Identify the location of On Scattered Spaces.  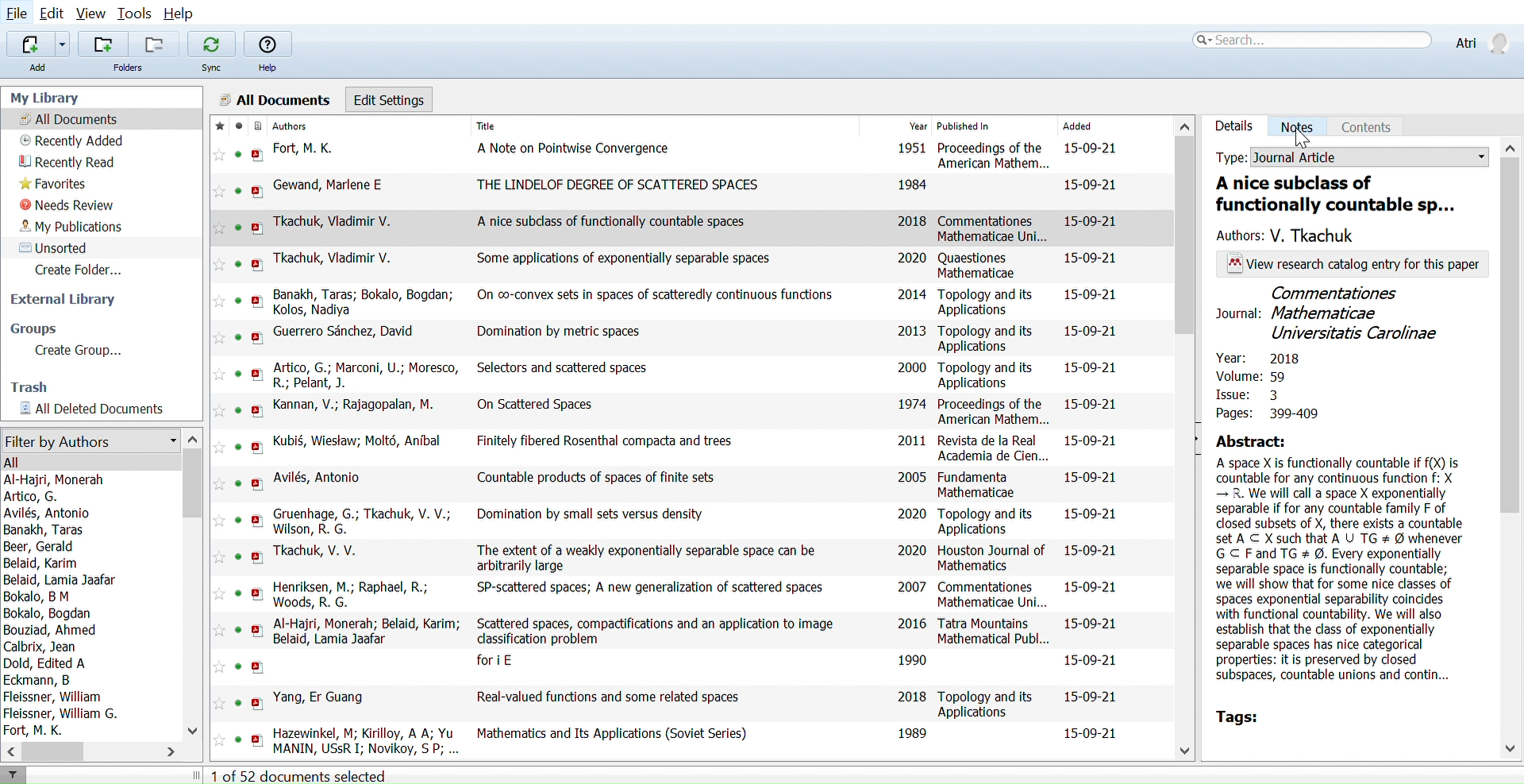
(540, 404).